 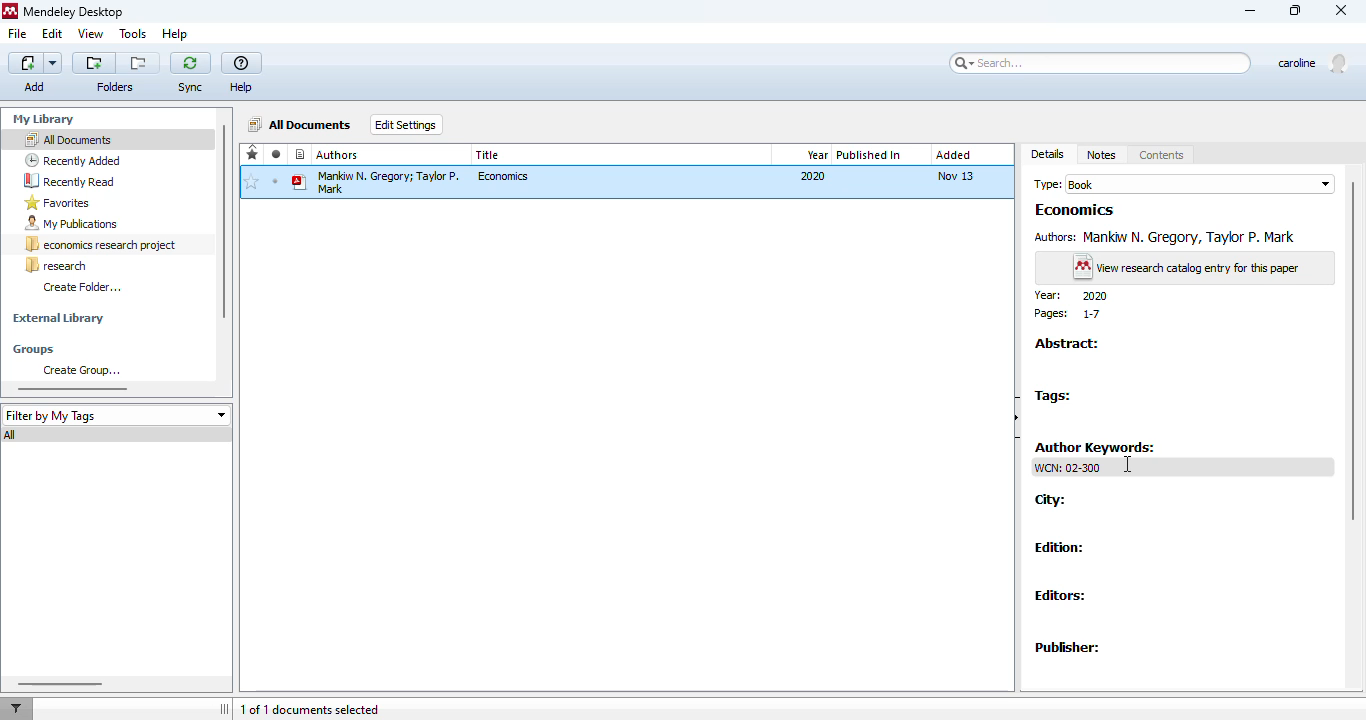 What do you see at coordinates (1200, 184) in the screenshot?
I see `book` at bounding box center [1200, 184].